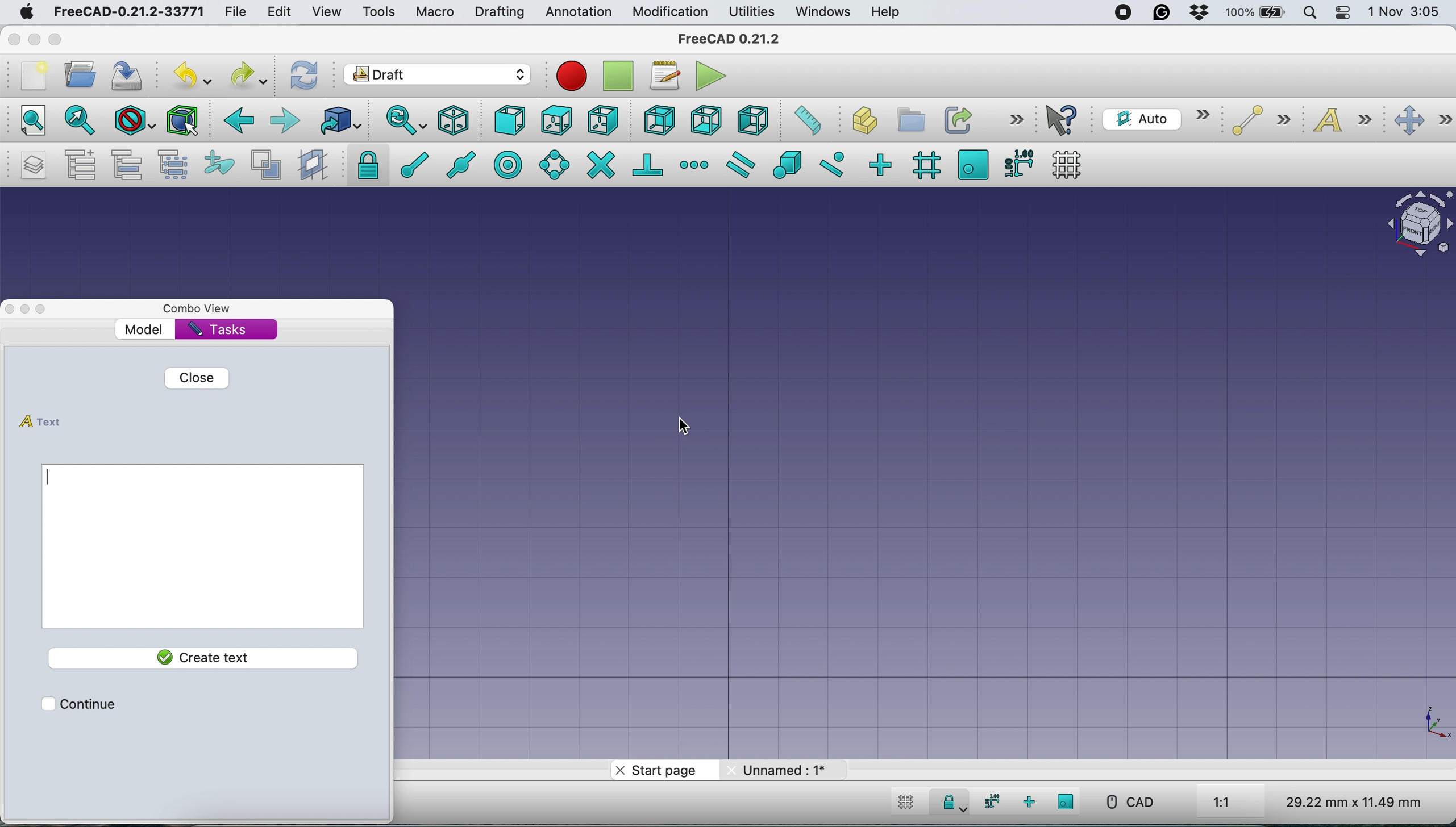  Describe the element at coordinates (1160, 14) in the screenshot. I see `grammarly` at that location.